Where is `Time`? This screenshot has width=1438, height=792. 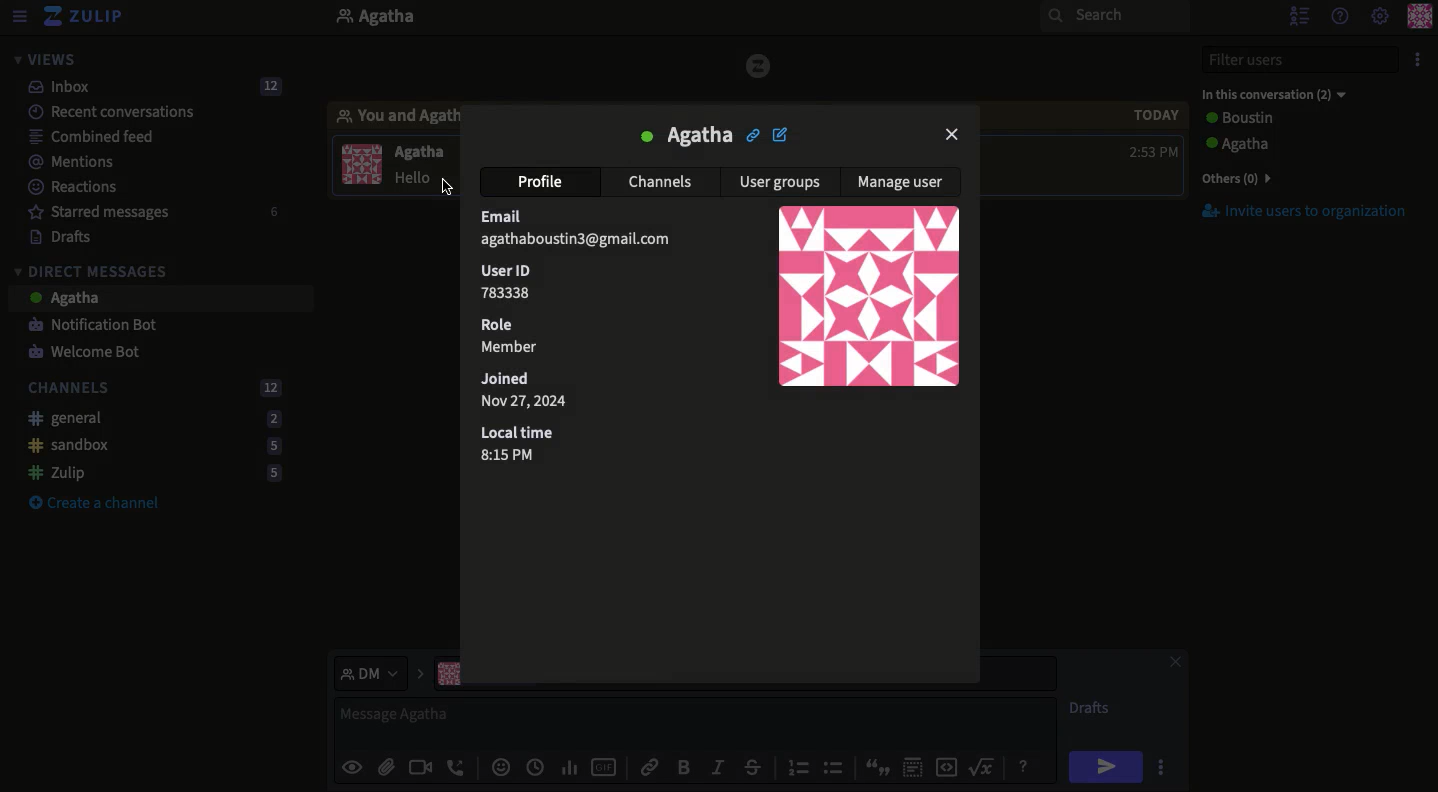 Time is located at coordinates (1155, 152).